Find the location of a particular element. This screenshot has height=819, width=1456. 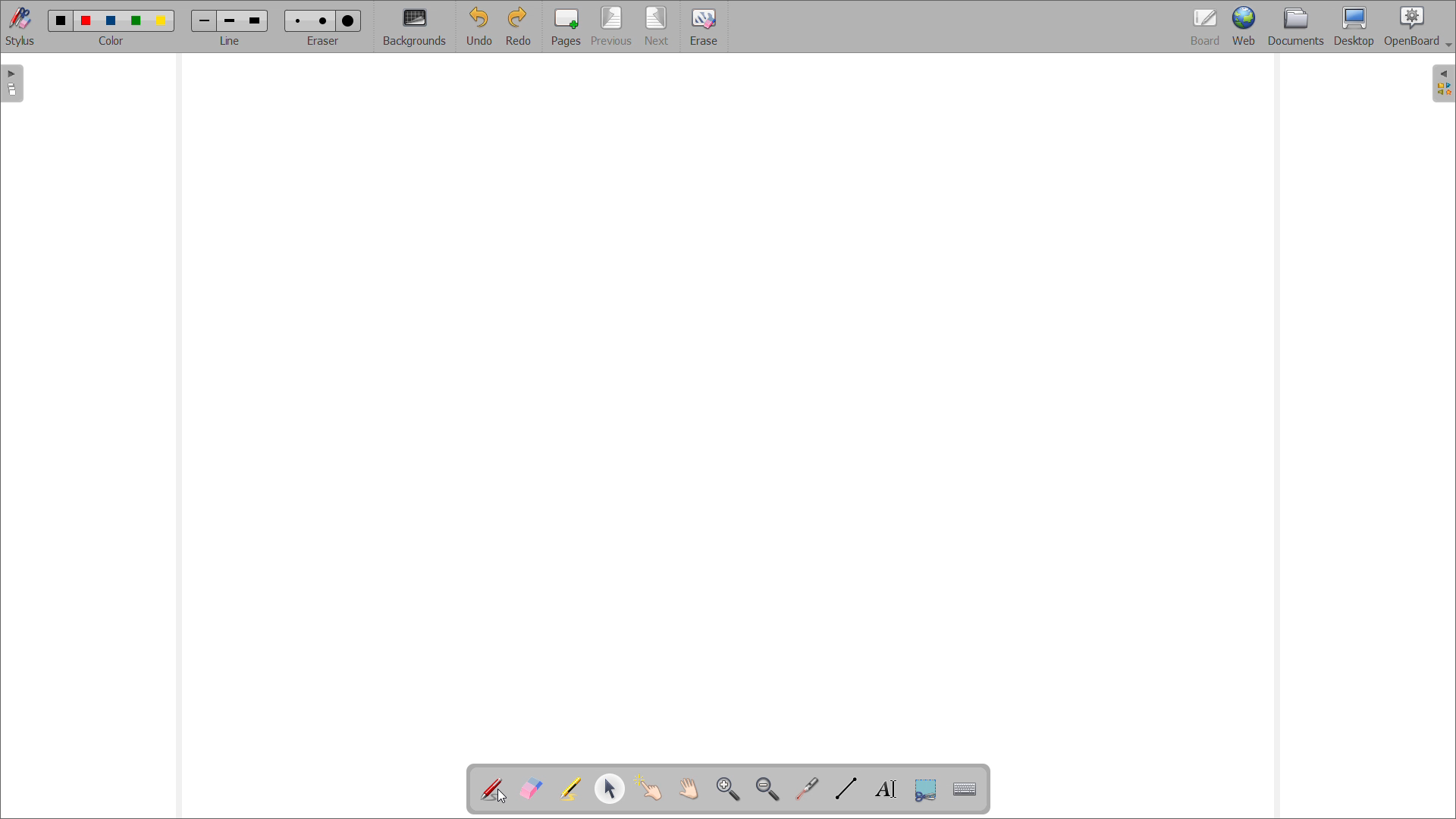

open pages view is located at coordinates (13, 83).